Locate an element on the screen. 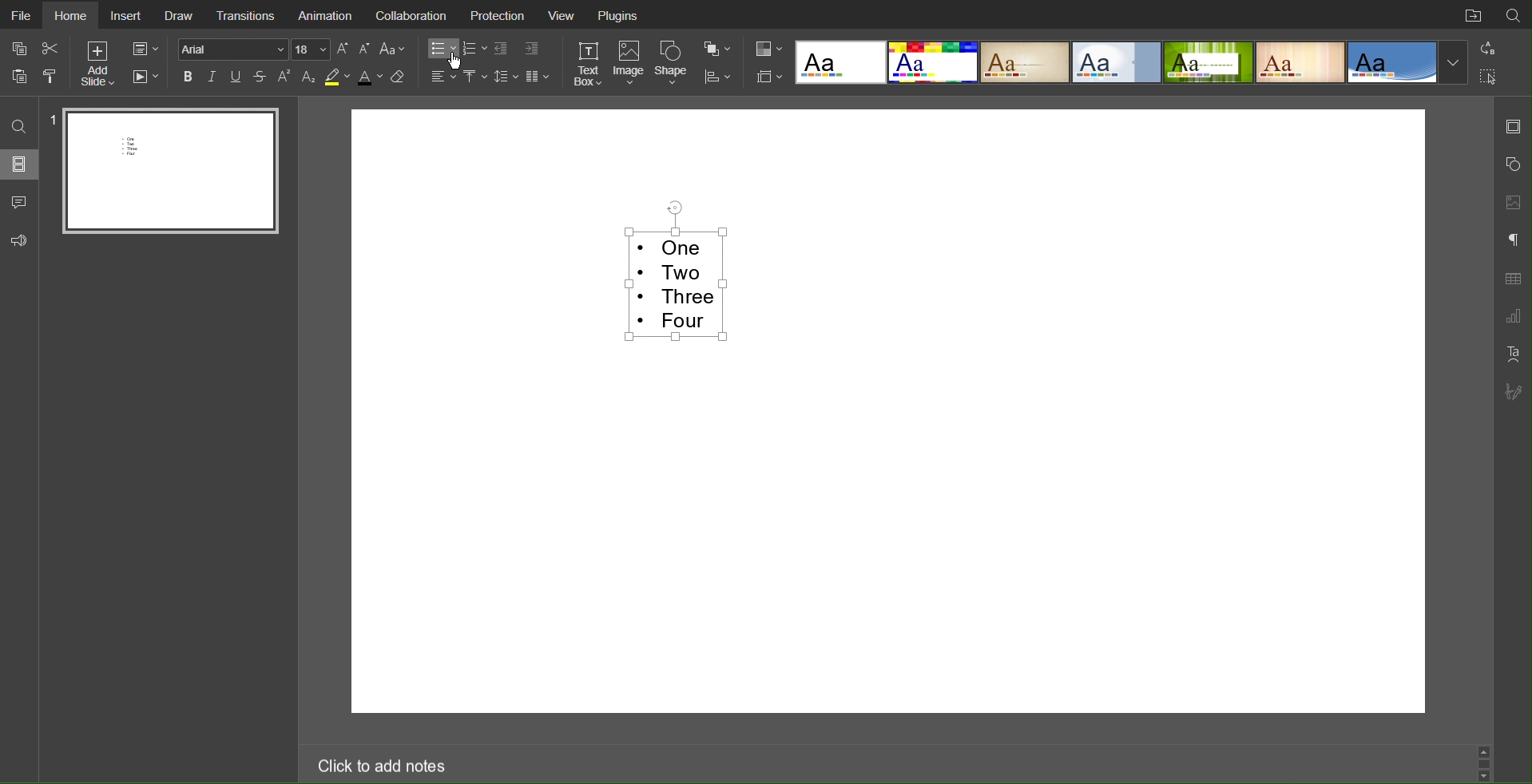 The width and height of the screenshot is (1532, 784). Home is located at coordinates (70, 15).